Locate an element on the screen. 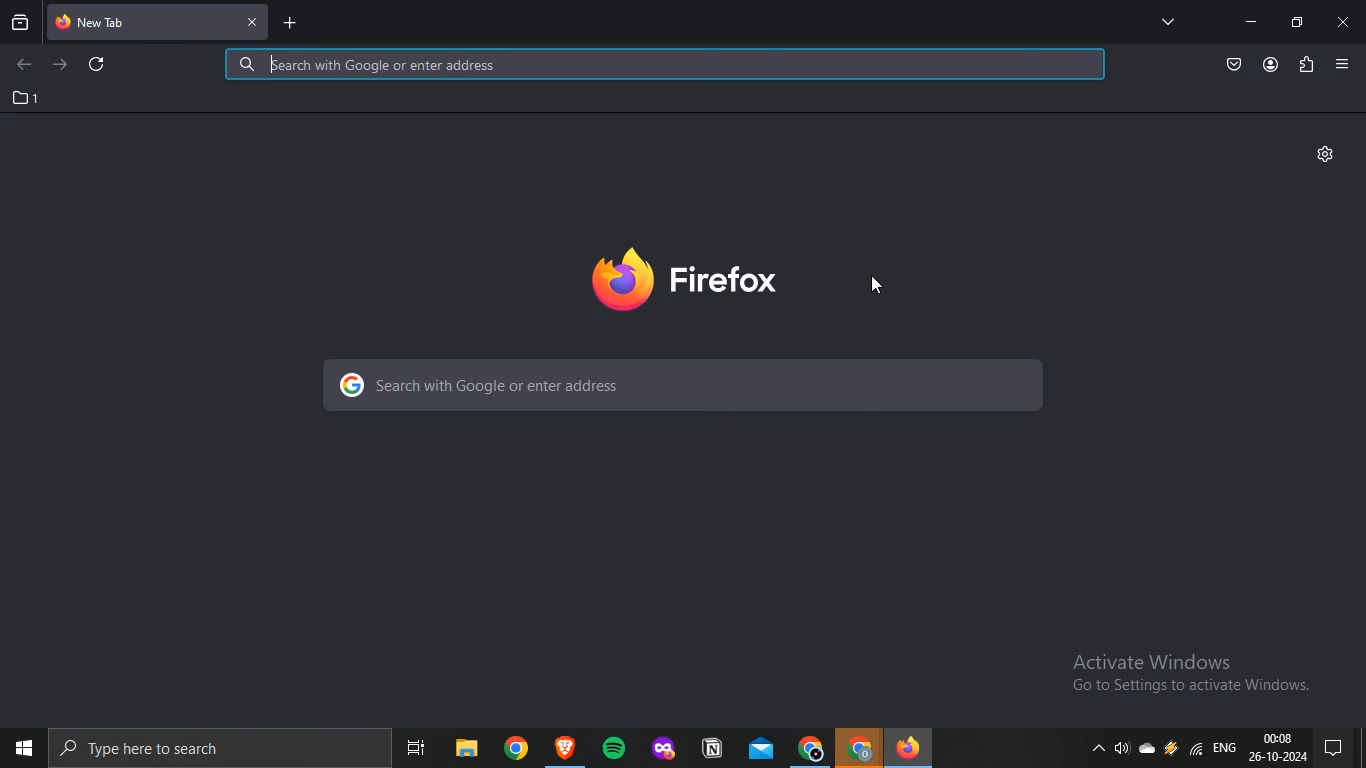 This screenshot has width=1366, height=768. eng is located at coordinates (1228, 753).